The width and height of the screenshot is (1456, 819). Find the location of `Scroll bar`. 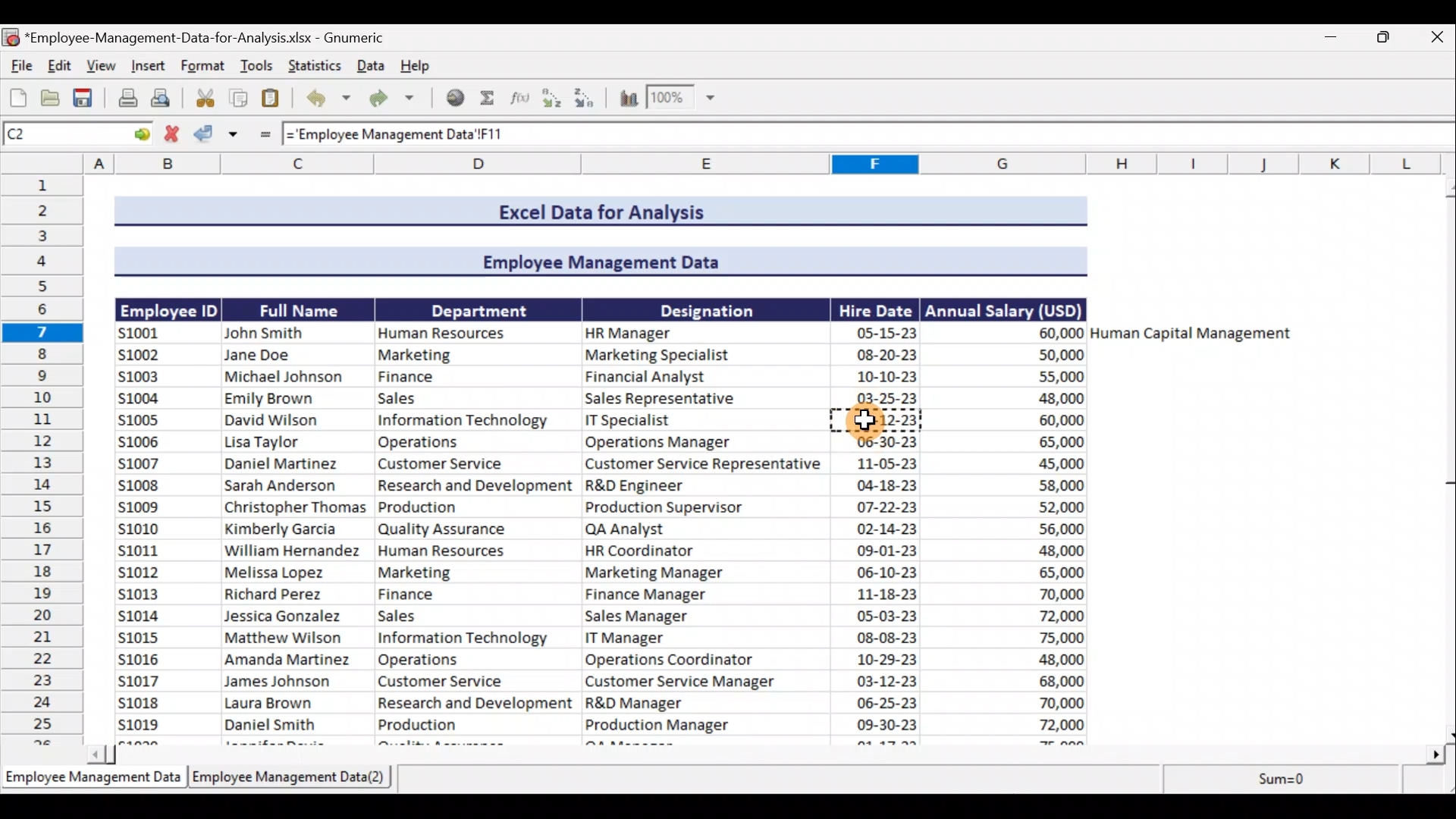

Scroll bar is located at coordinates (1446, 459).